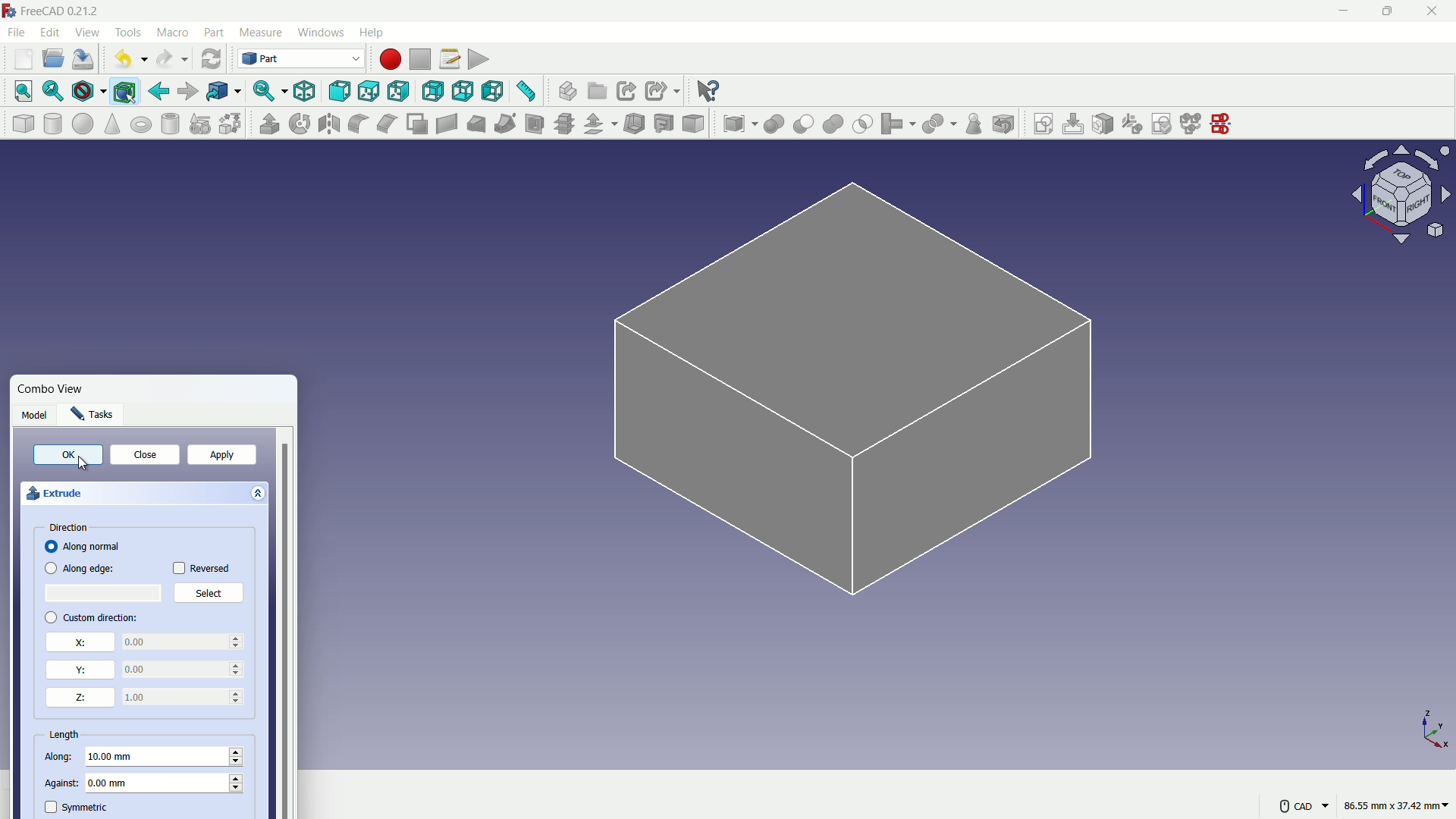 The height and width of the screenshot is (819, 1456). I want to click on length properties, so click(71, 735).